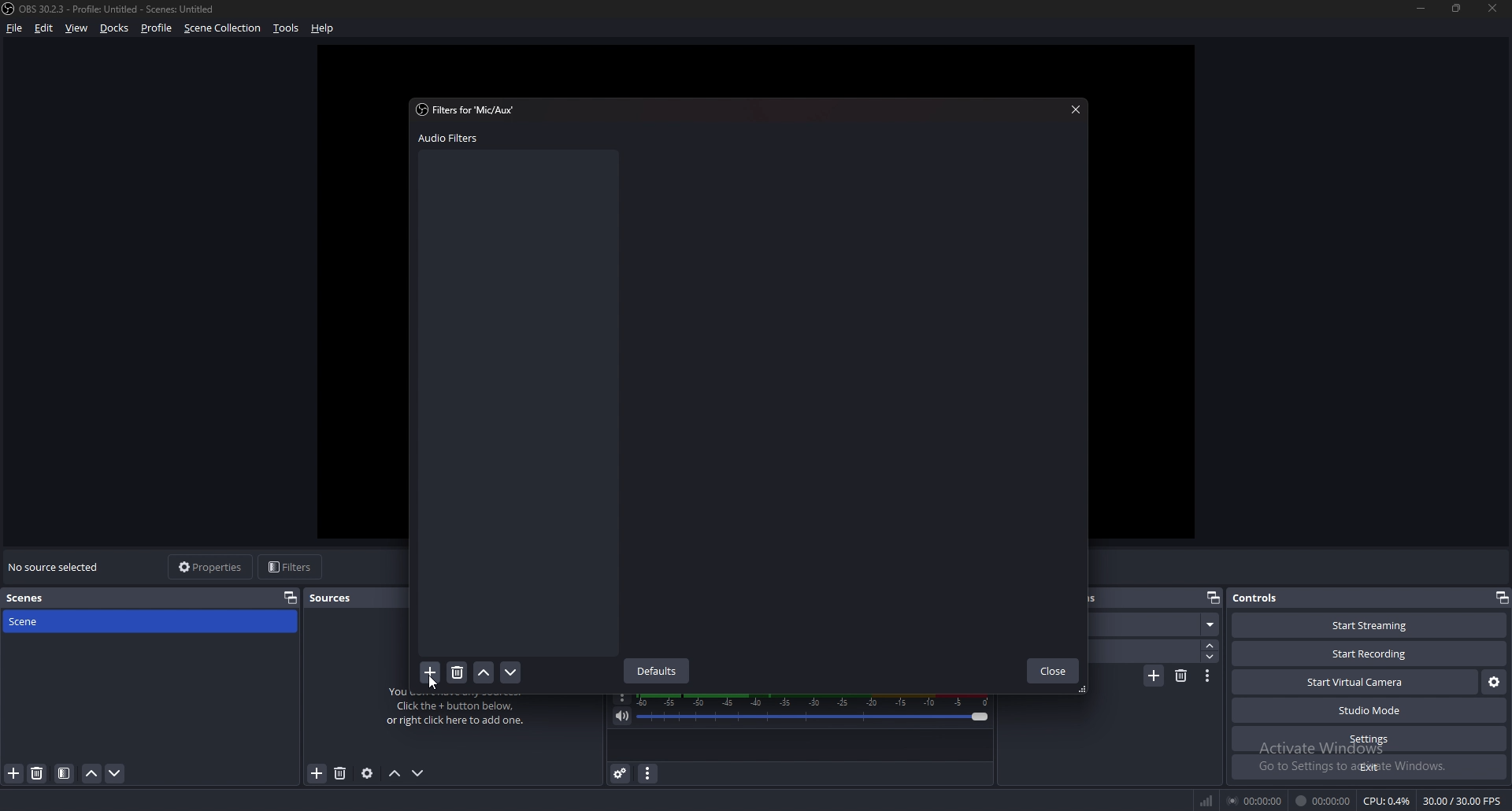 The width and height of the screenshot is (1512, 811). Describe the element at coordinates (157, 29) in the screenshot. I see `profile` at that location.